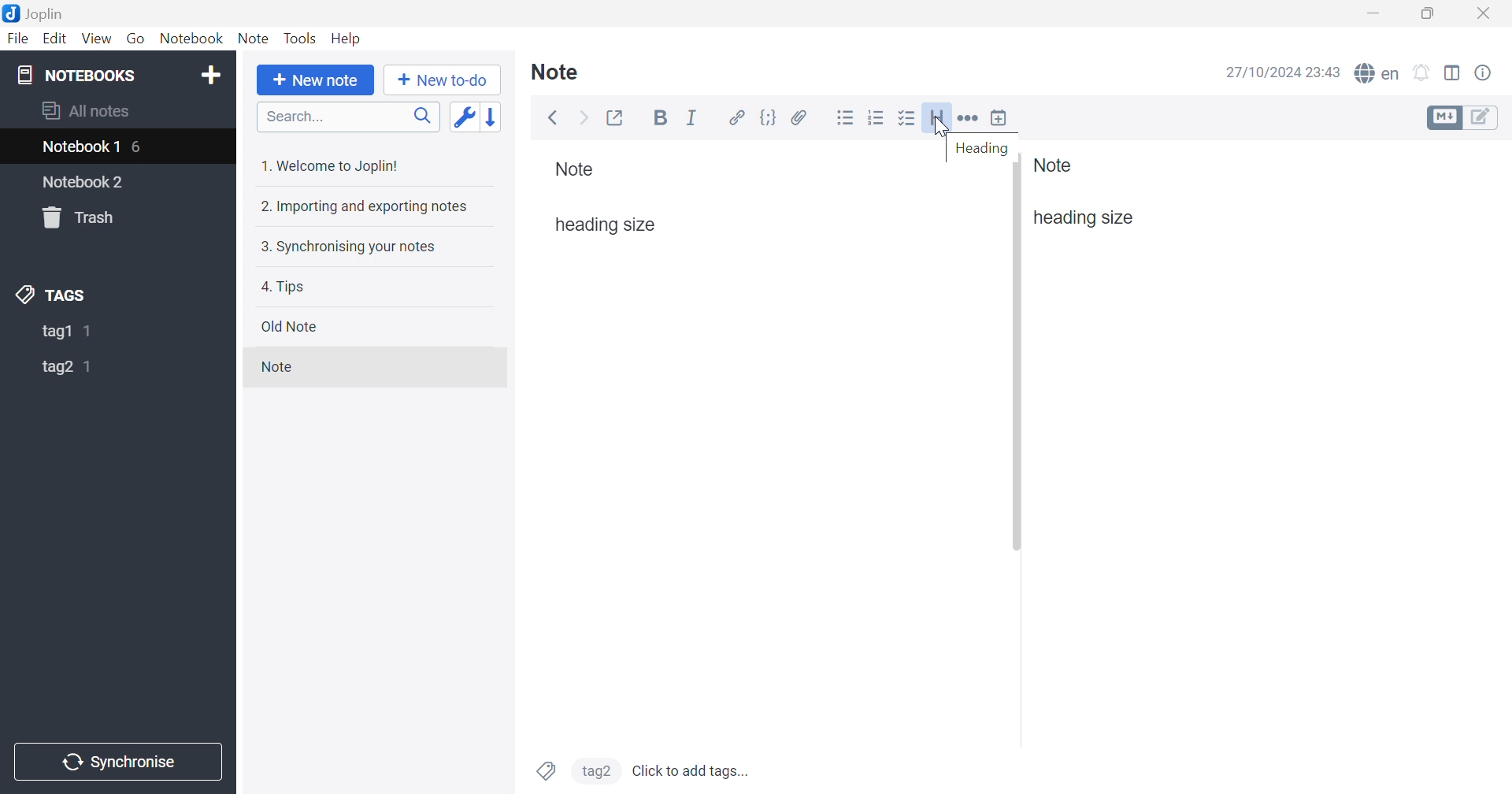  Describe the element at coordinates (210, 74) in the screenshot. I see `Add notebook` at that location.